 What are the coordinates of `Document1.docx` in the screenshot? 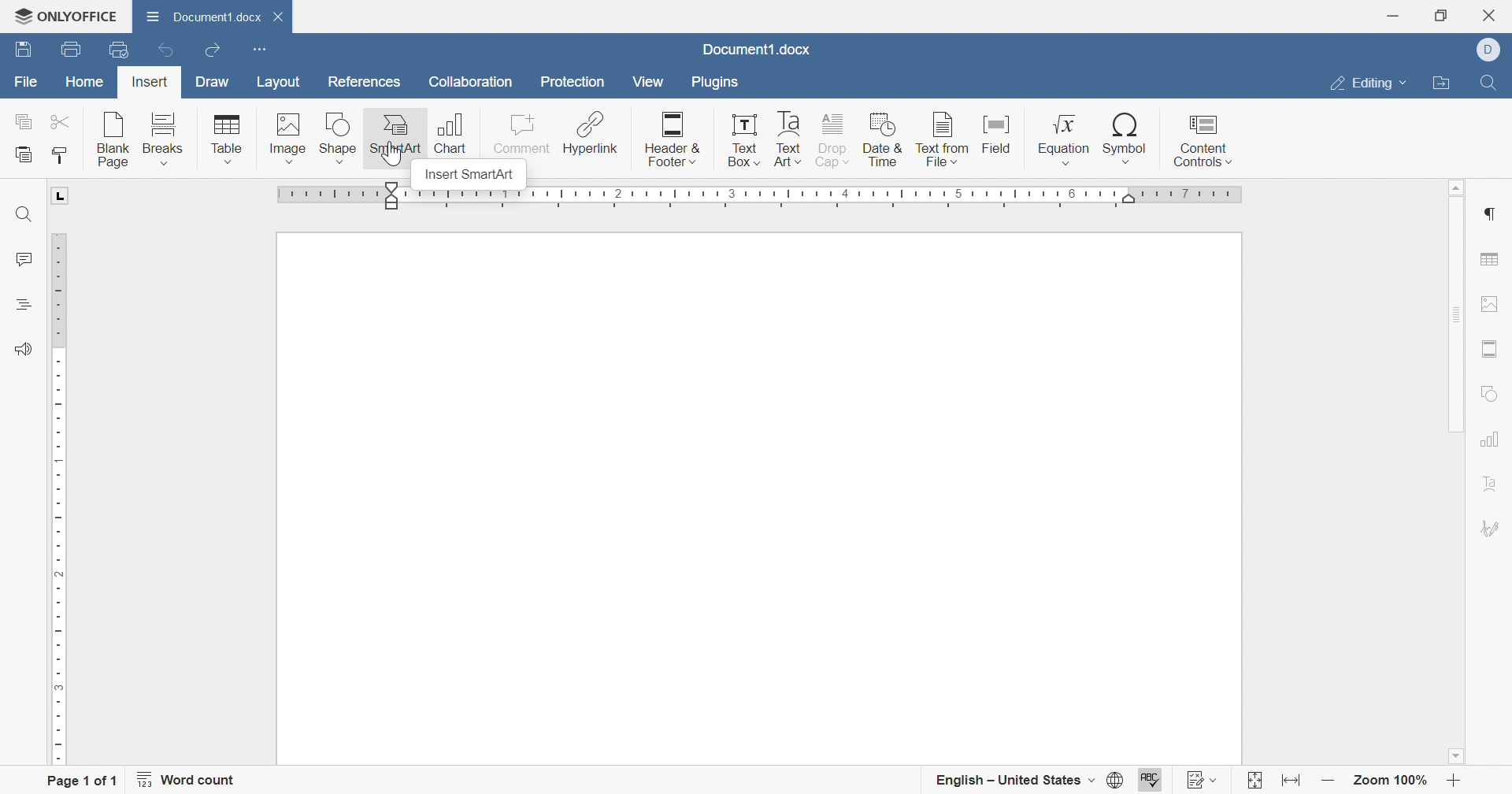 It's located at (206, 20).